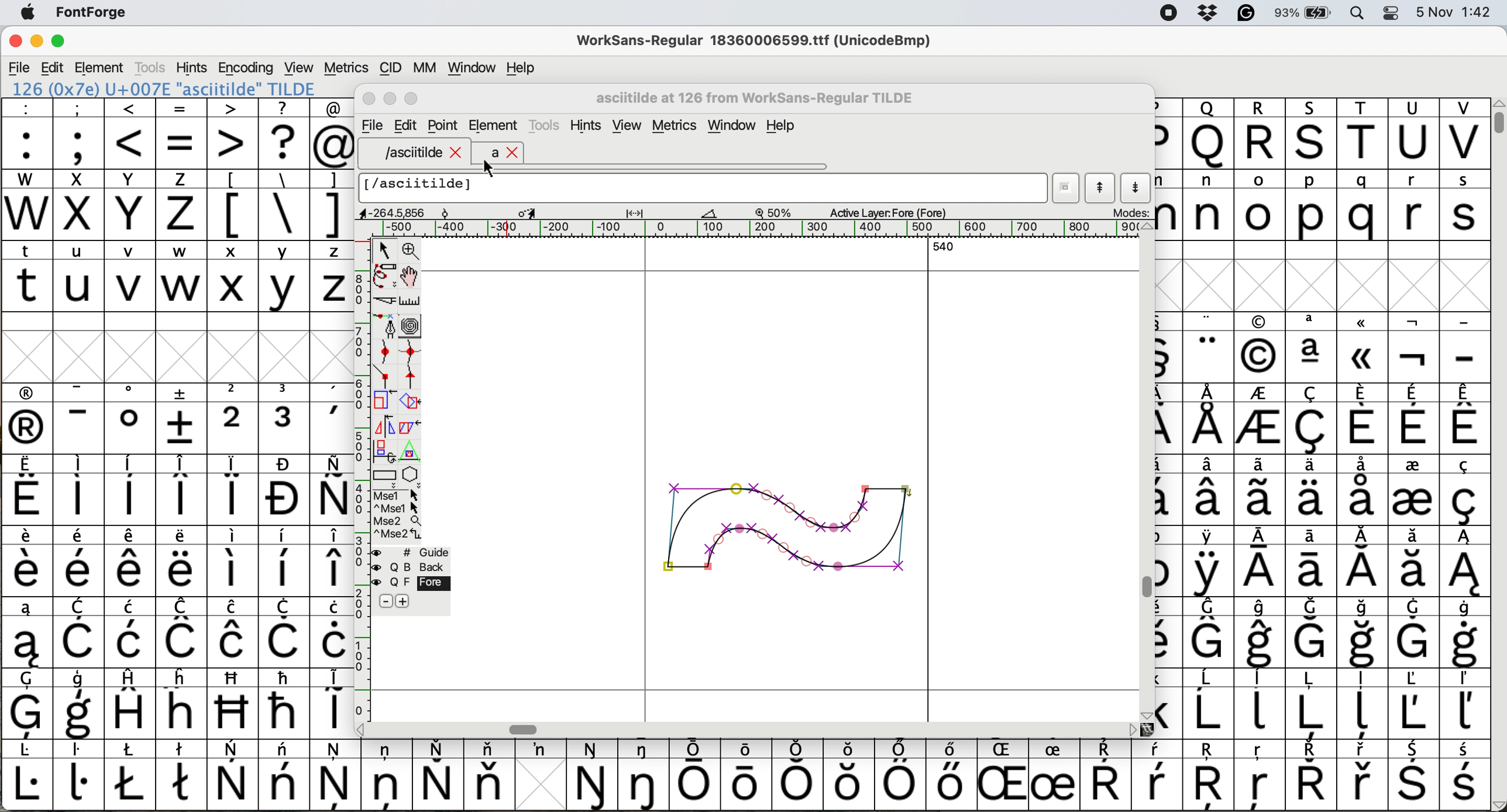 This screenshot has width=1507, height=812. What do you see at coordinates (789, 521) in the screenshot?
I see `tilde glyph` at bounding box center [789, 521].